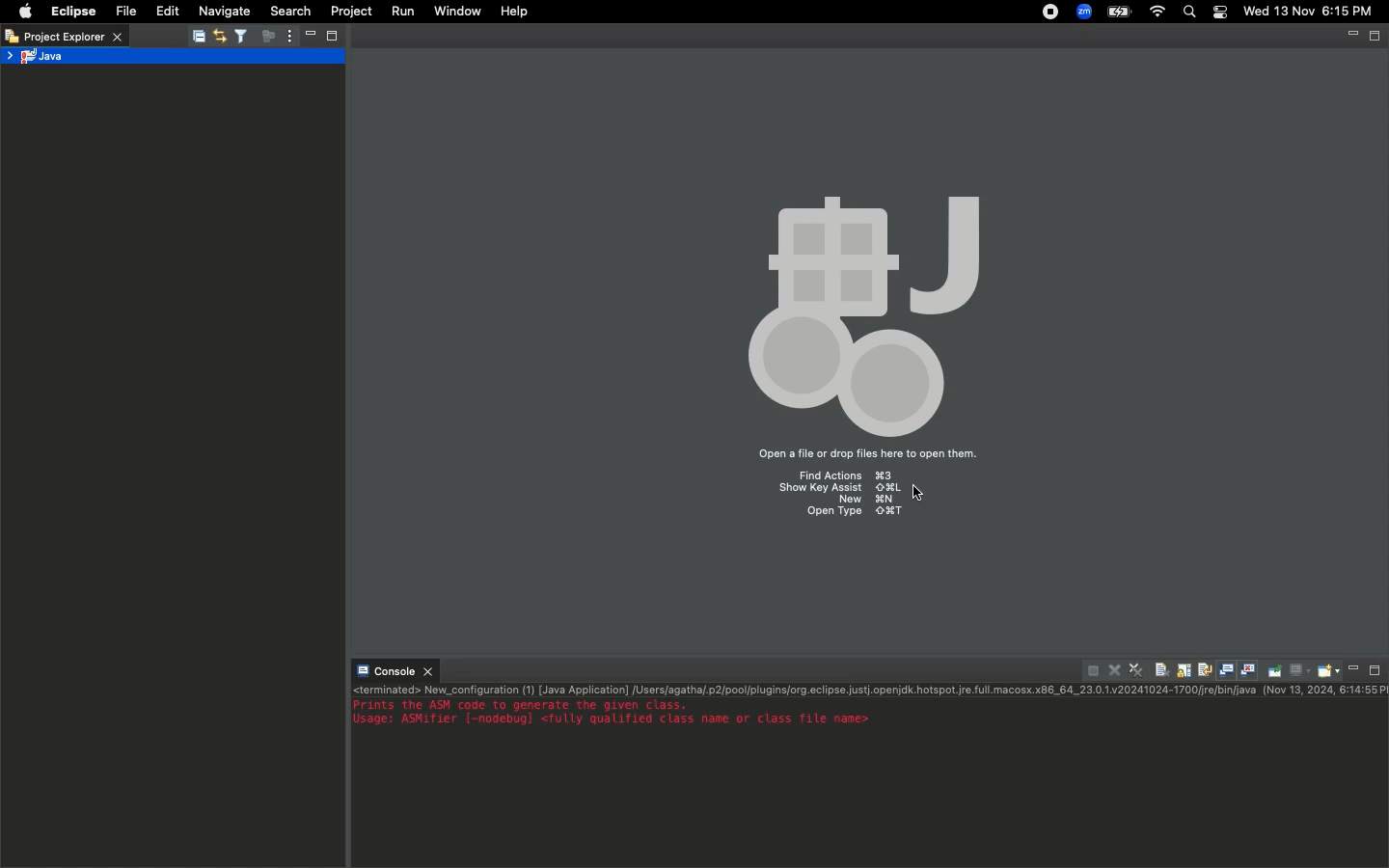  I want to click on Prints the ASM code to generate the given class., so click(519, 706).